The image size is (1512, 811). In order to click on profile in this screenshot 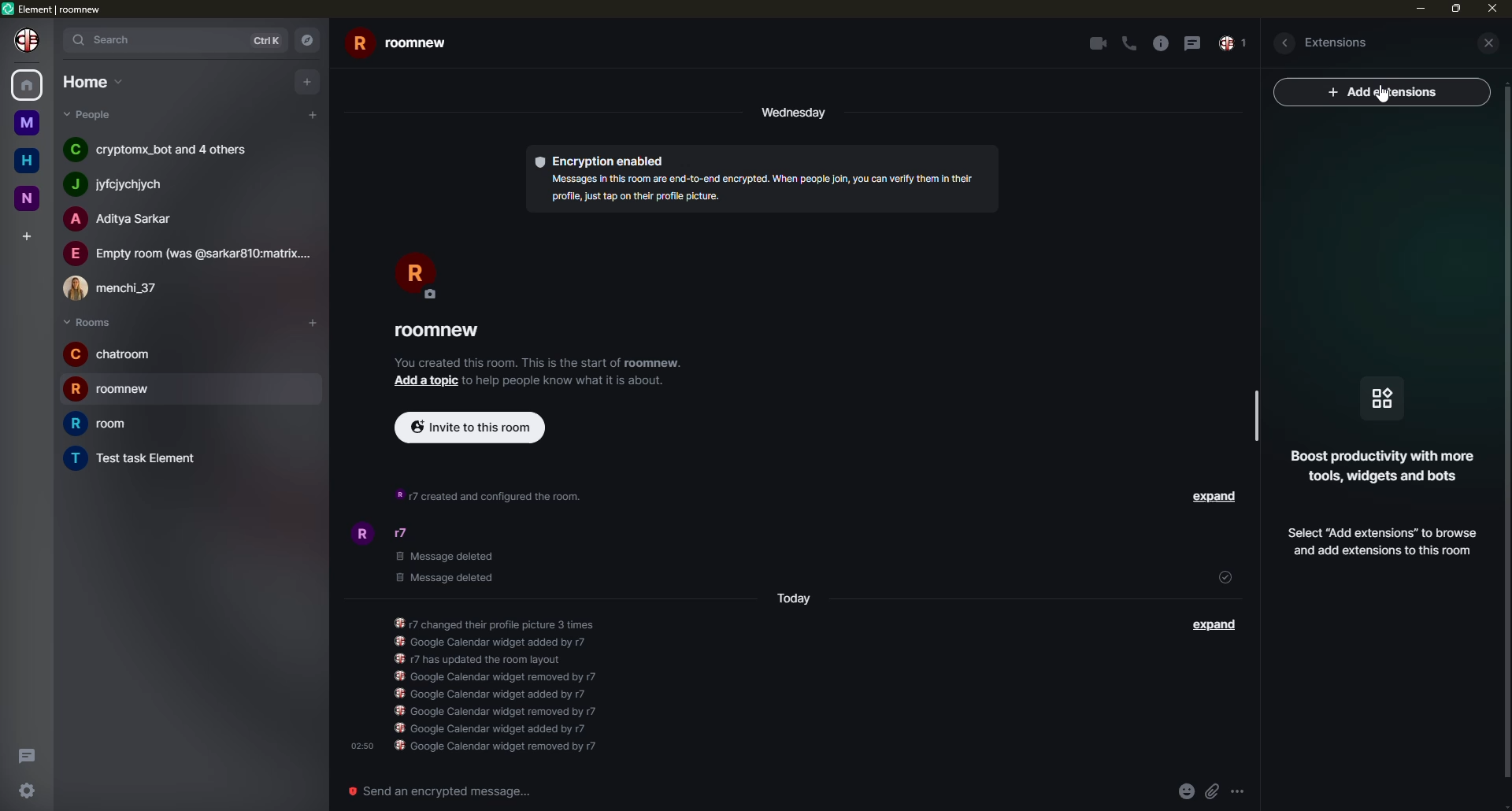, I will do `click(361, 531)`.